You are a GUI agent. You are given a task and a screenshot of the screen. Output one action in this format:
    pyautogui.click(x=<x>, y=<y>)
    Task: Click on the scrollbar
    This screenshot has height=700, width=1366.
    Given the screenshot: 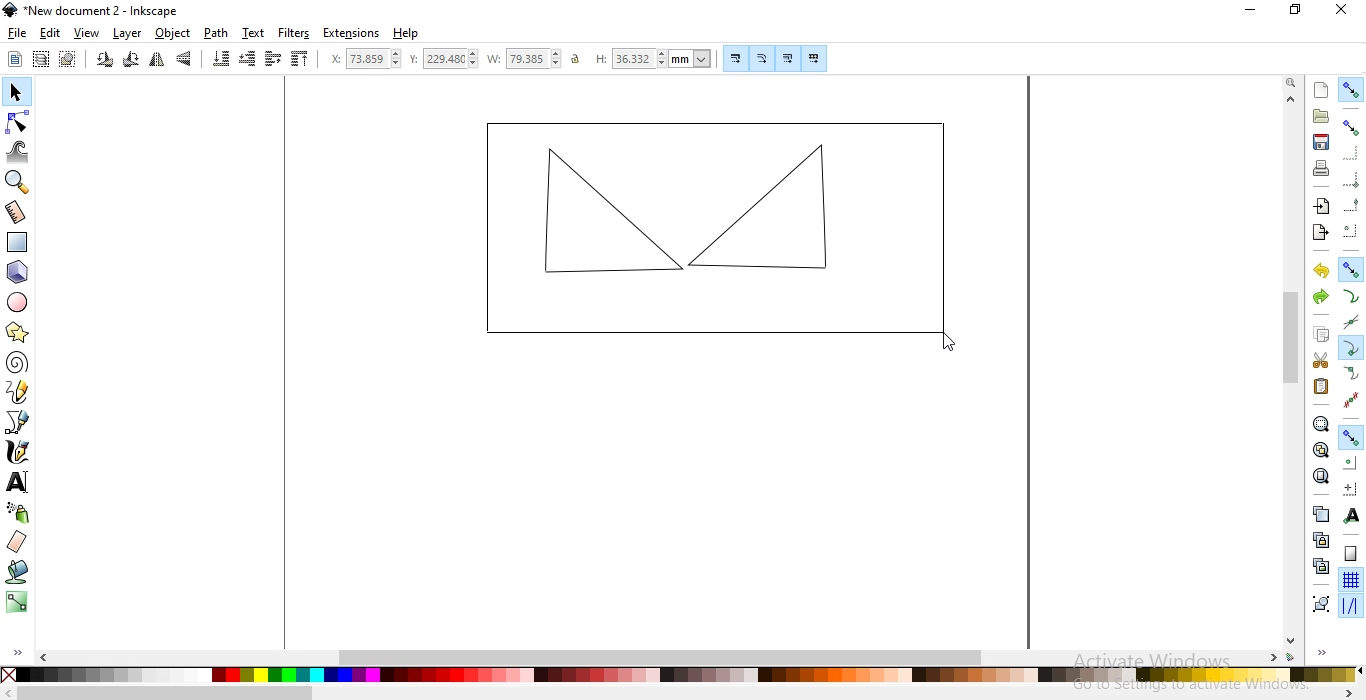 What is the action you would take?
    pyautogui.click(x=1289, y=369)
    